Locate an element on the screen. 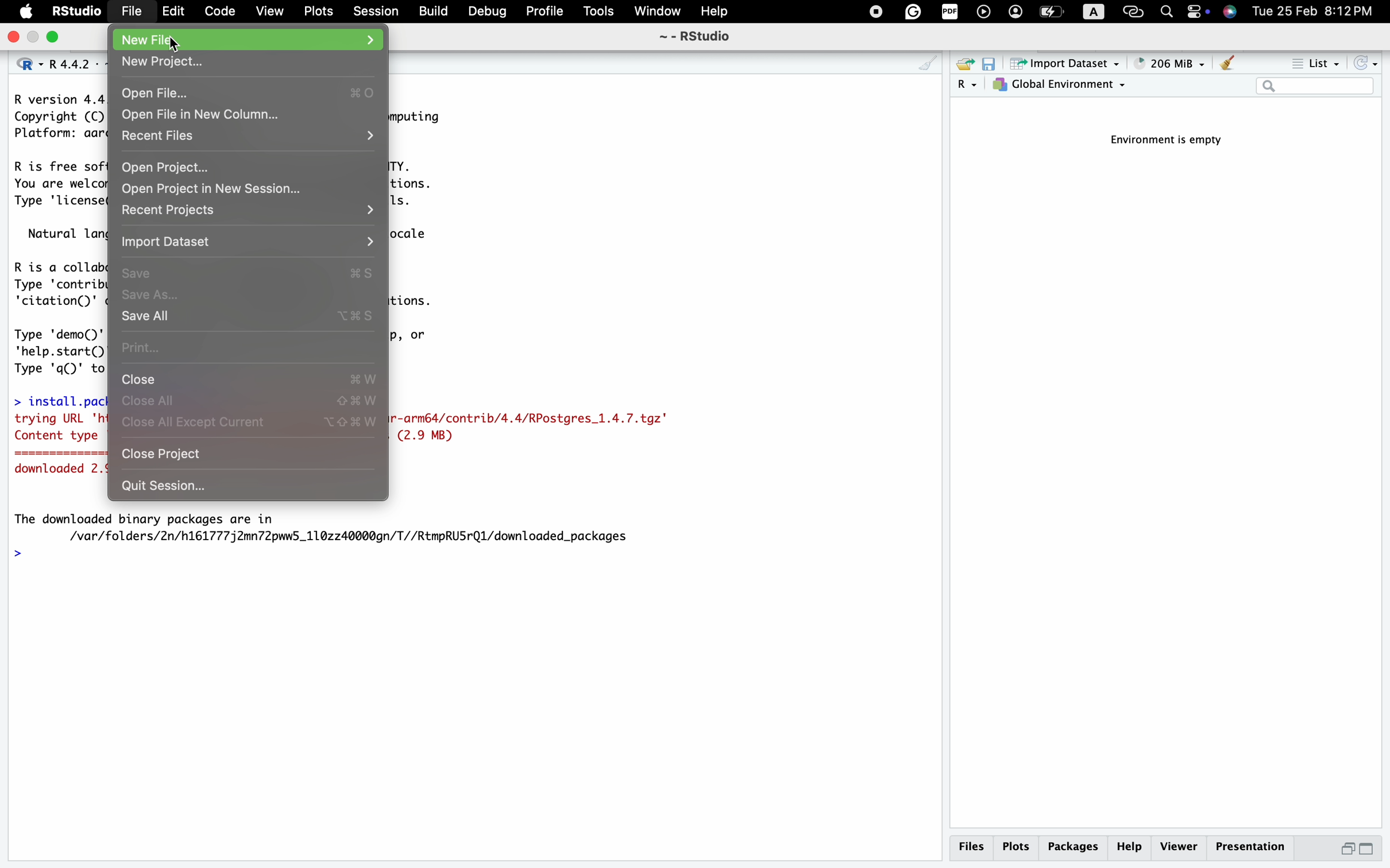 The height and width of the screenshot is (868, 1390). apple logo is located at coordinates (23, 12).